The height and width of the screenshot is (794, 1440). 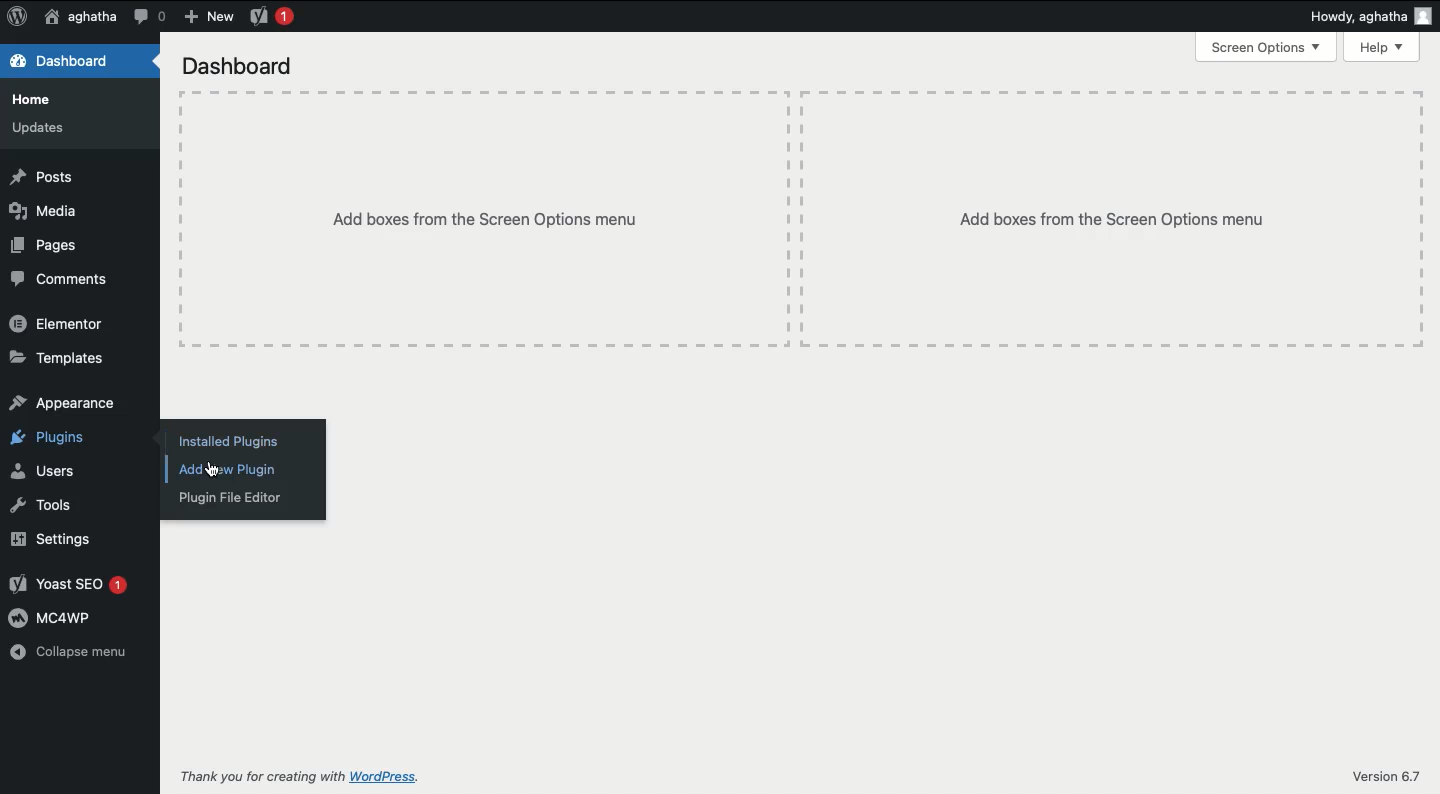 I want to click on Elementor, so click(x=61, y=326).